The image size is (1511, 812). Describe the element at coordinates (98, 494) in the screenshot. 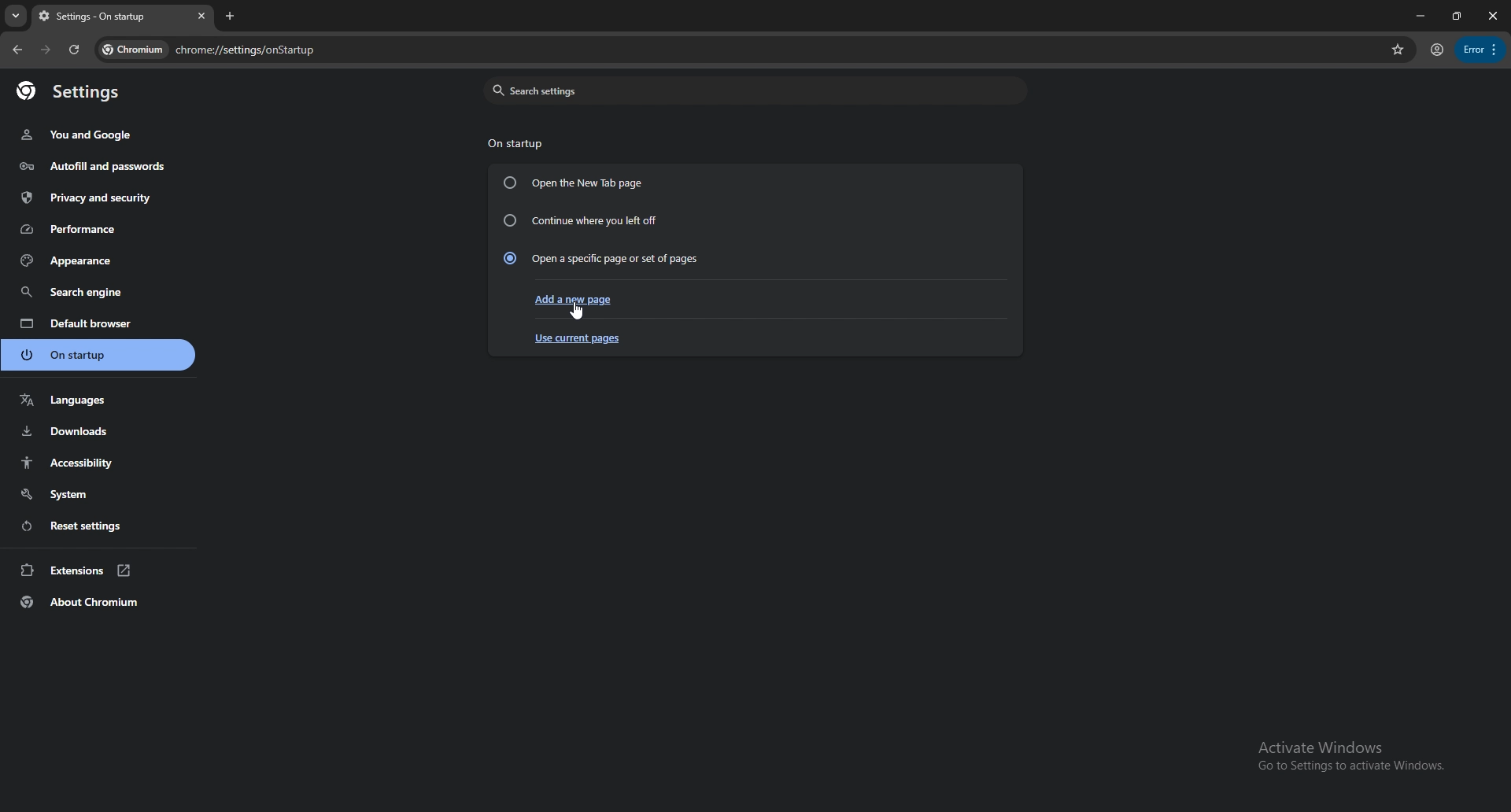

I see `system` at that location.